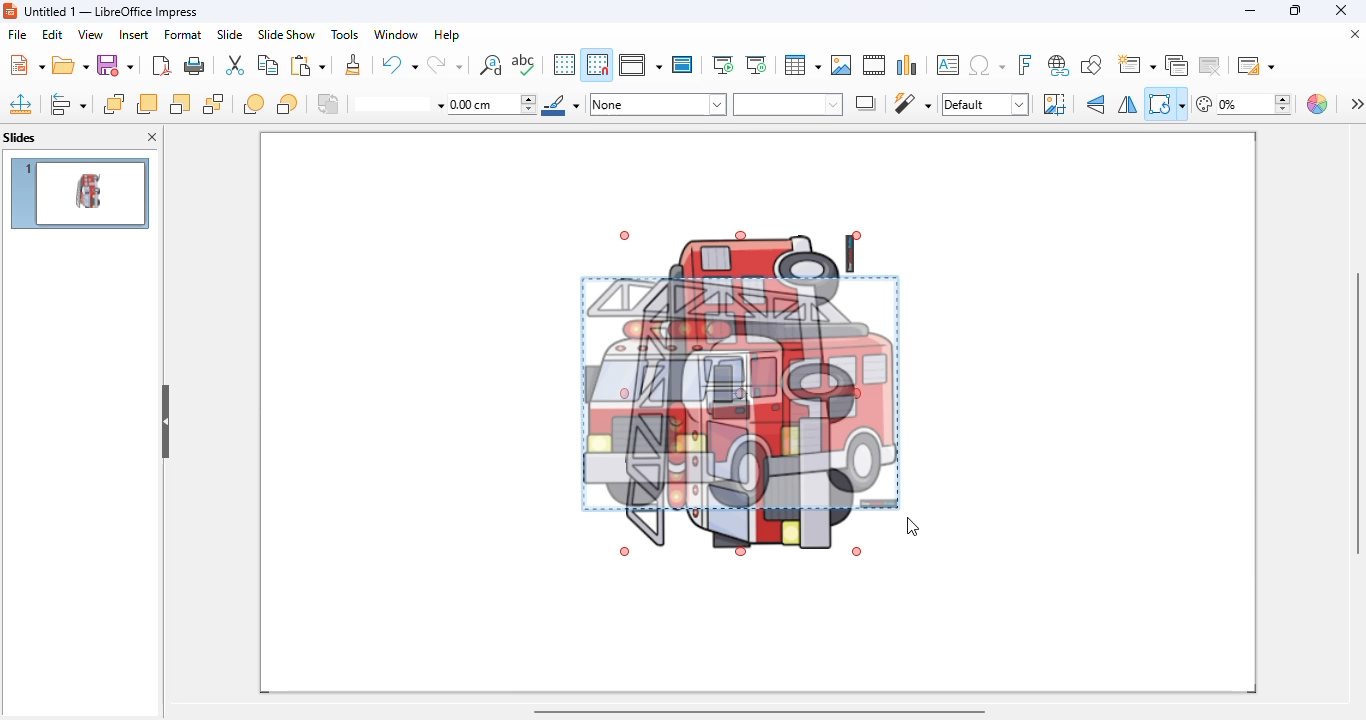  Describe the element at coordinates (397, 34) in the screenshot. I see `window` at that location.